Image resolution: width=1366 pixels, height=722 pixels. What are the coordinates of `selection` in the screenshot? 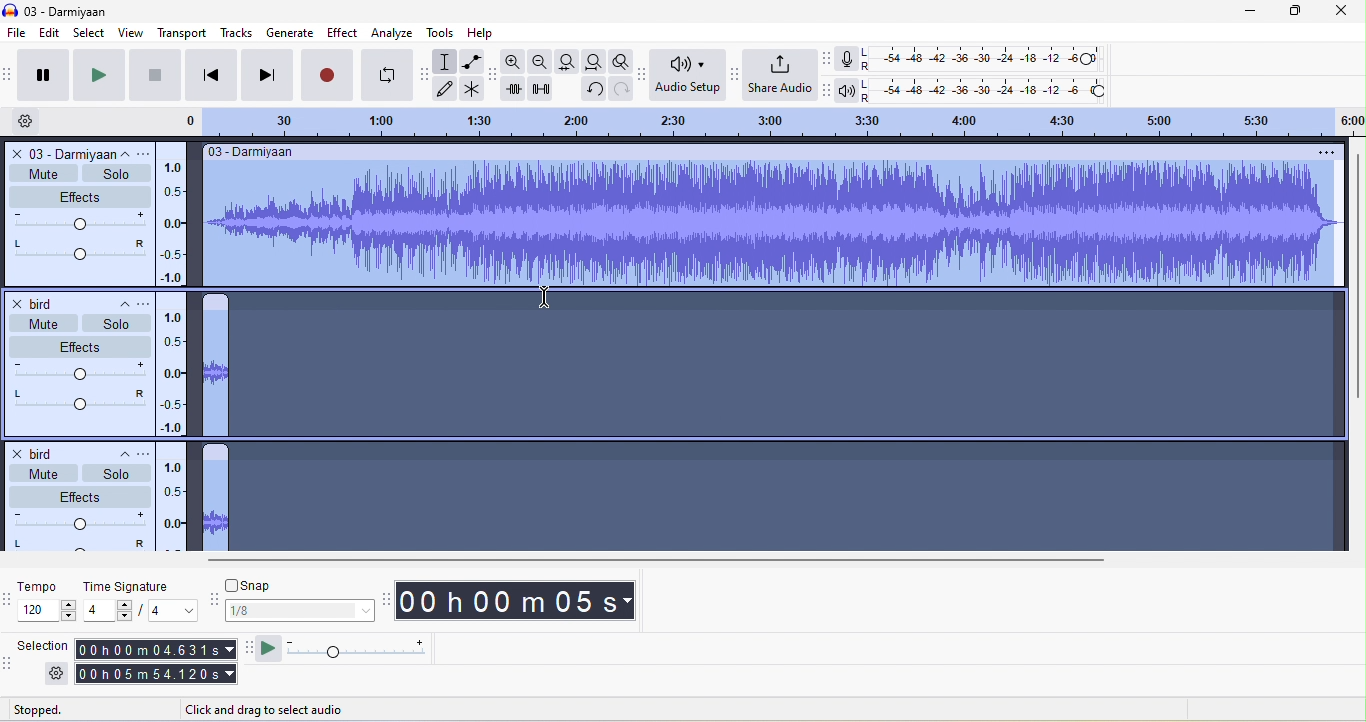 It's located at (46, 647).